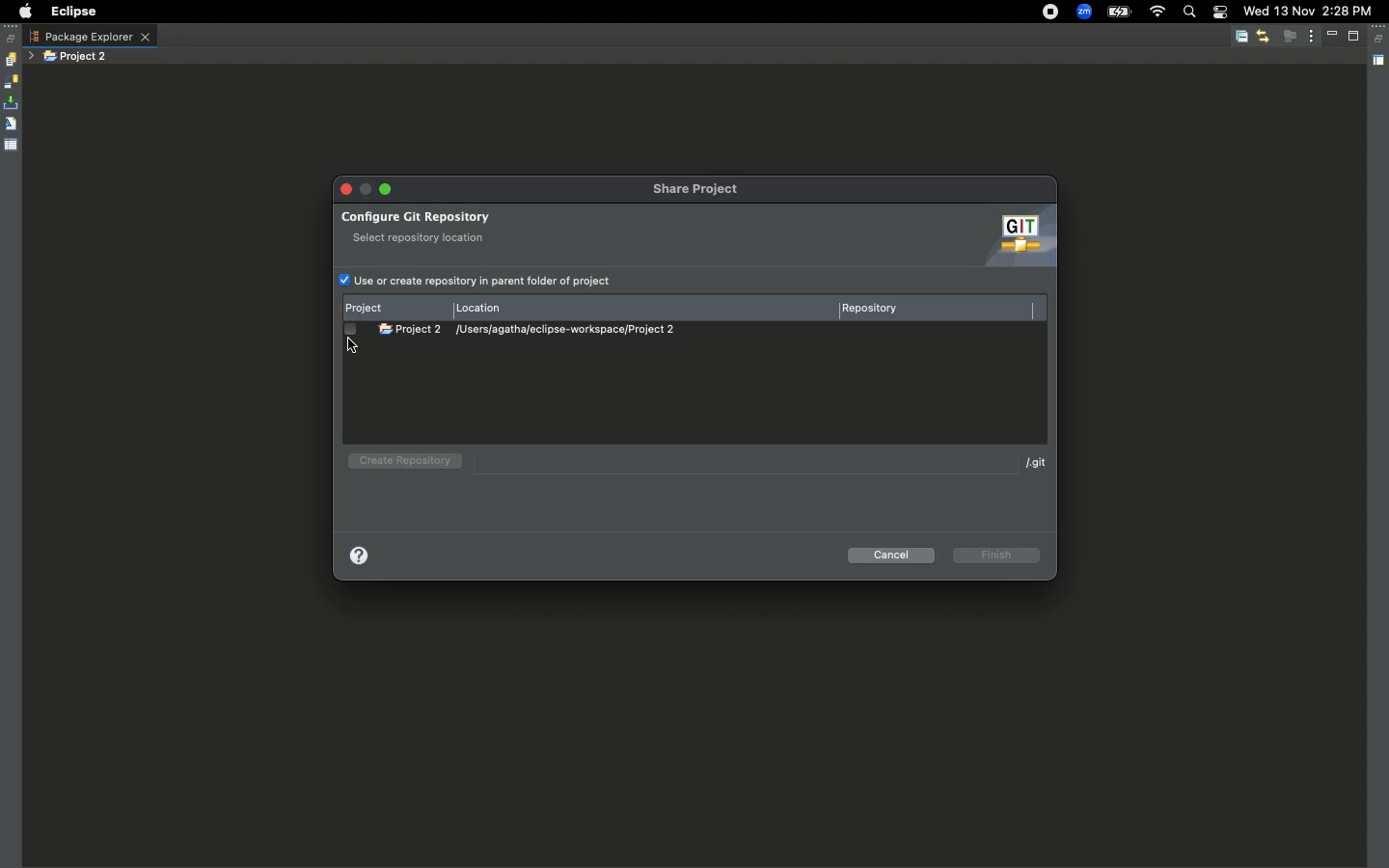 Image resolution: width=1389 pixels, height=868 pixels. What do you see at coordinates (576, 329) in the screenshot?
I see `Project 2: /Users/agatha/eclipse-workspace/Project 2` at bounding box center [576, 329].